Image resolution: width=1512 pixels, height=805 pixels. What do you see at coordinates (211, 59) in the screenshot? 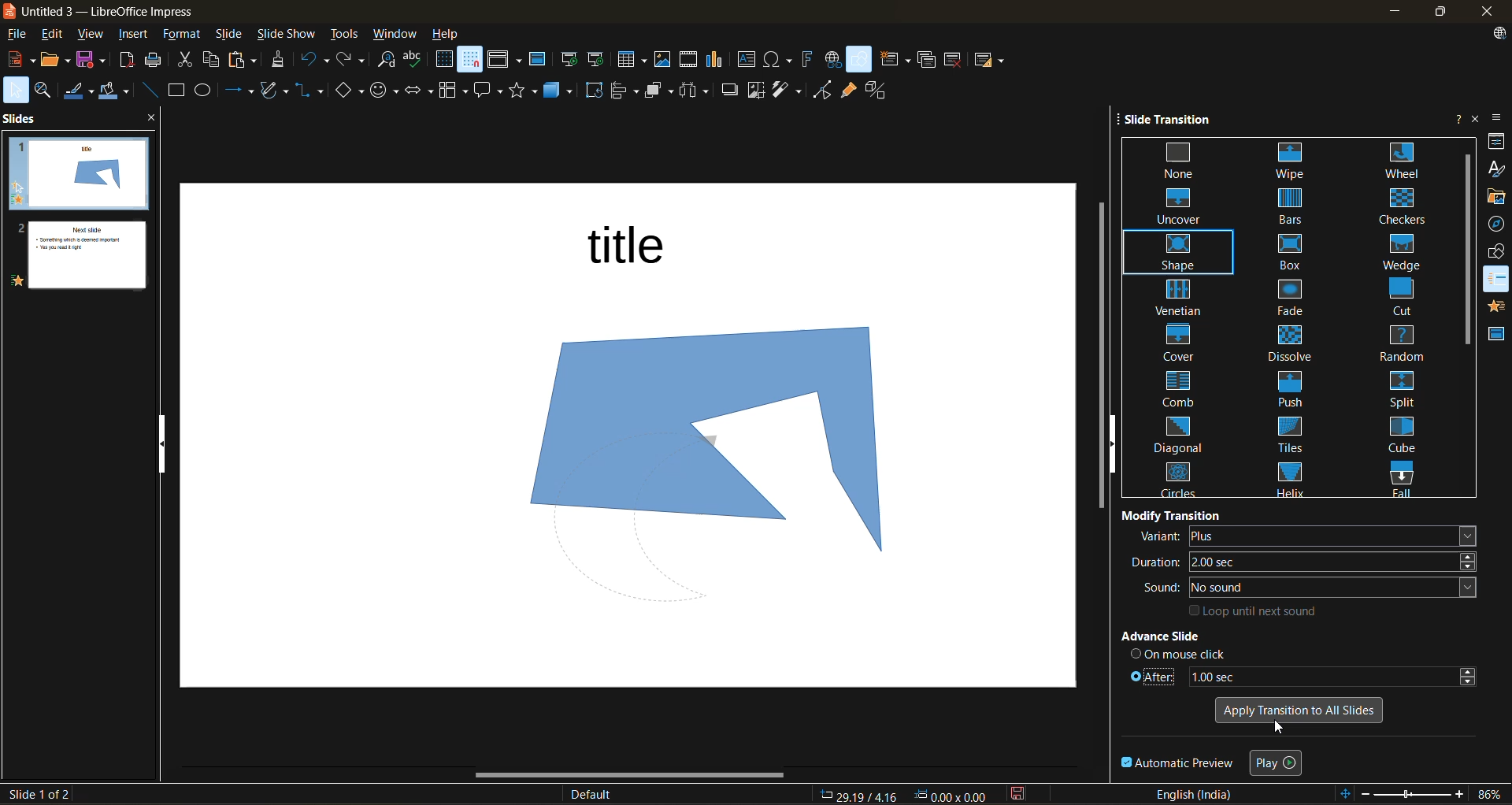
I see `copy` at bounding box center [211, 59].